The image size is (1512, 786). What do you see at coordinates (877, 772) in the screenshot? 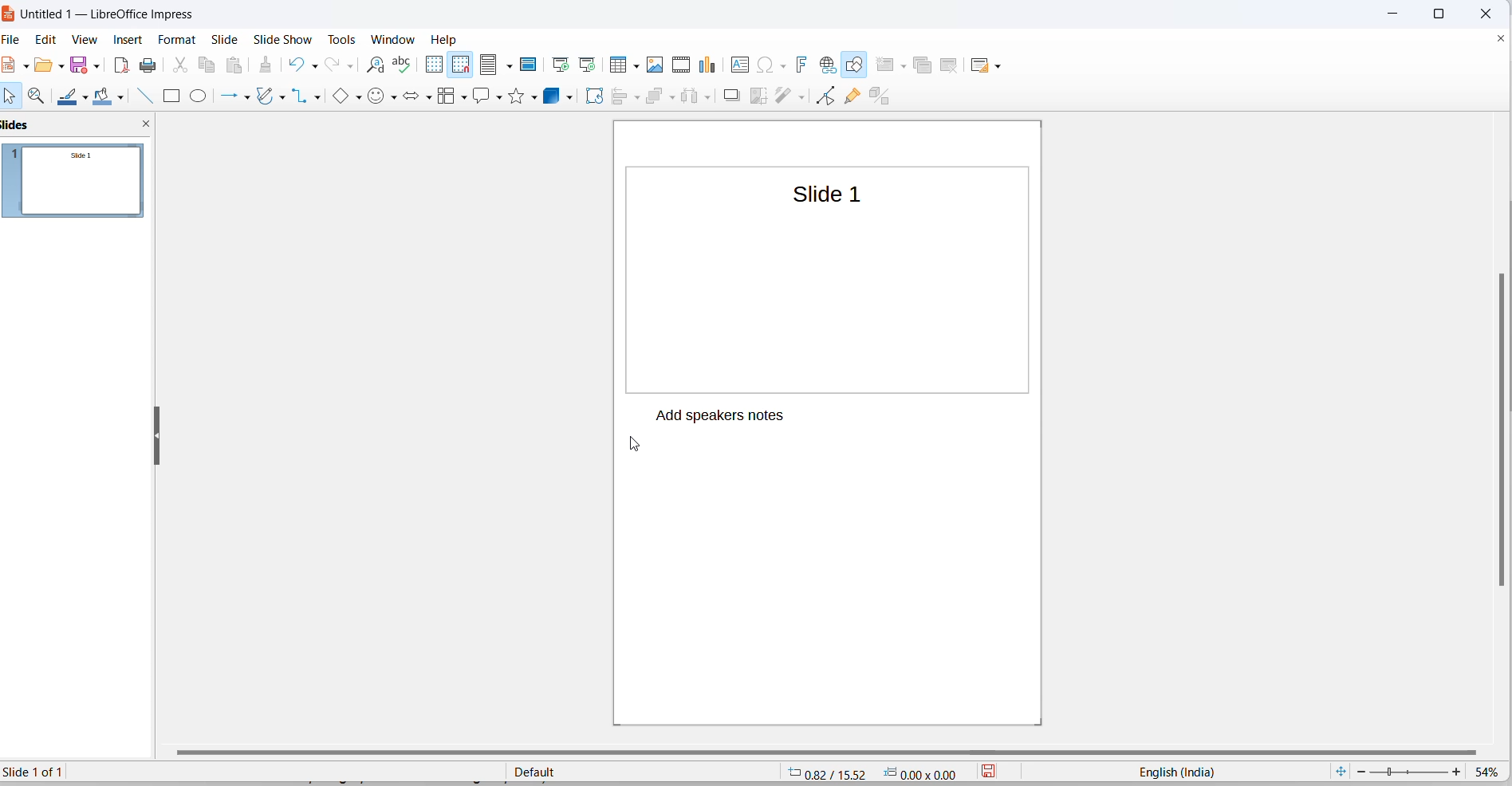
I see `cursor and selection coordinates` at bounding box center [877, 772].